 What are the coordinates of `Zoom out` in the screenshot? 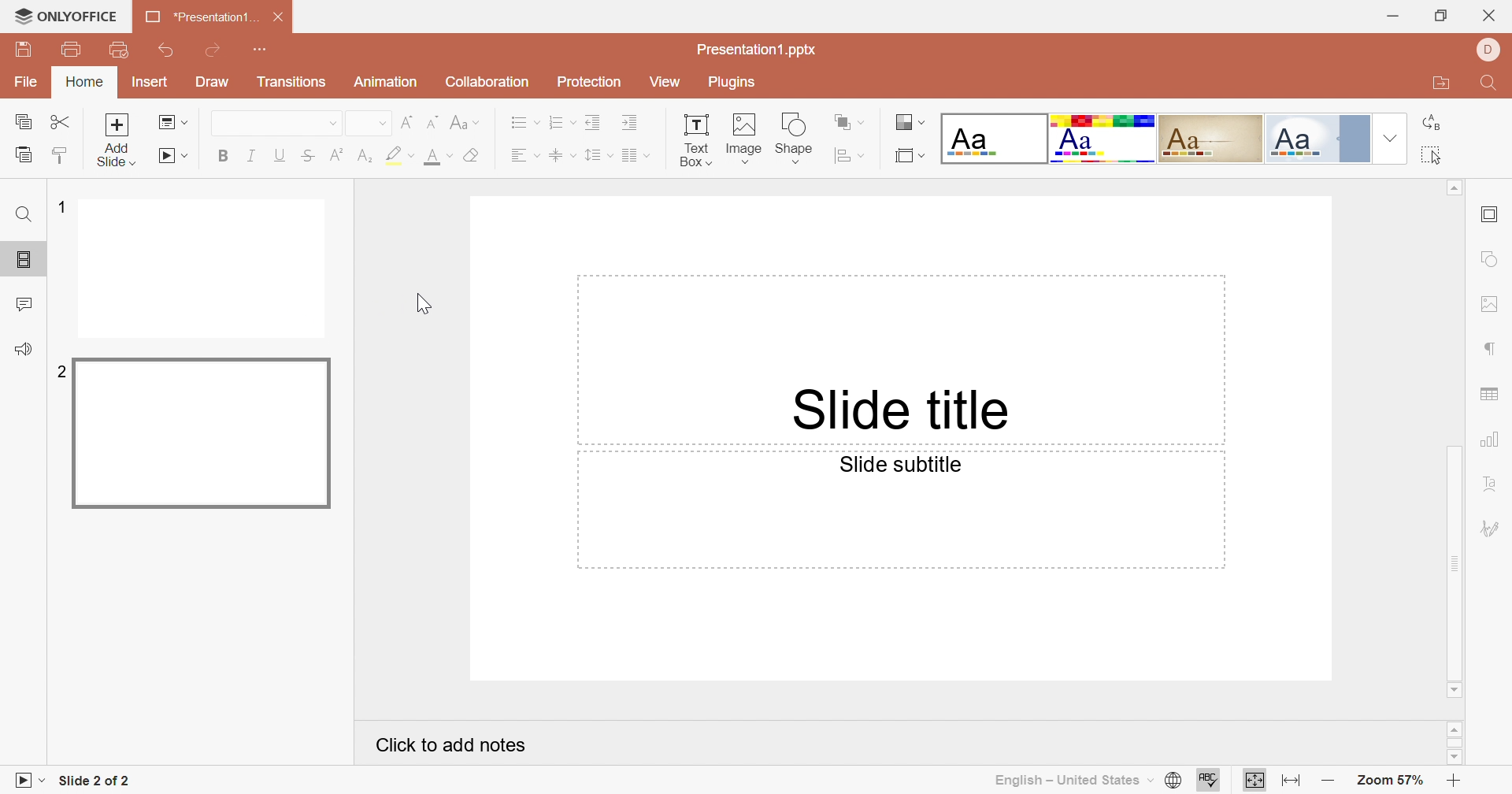 It's located at (1329, 781).